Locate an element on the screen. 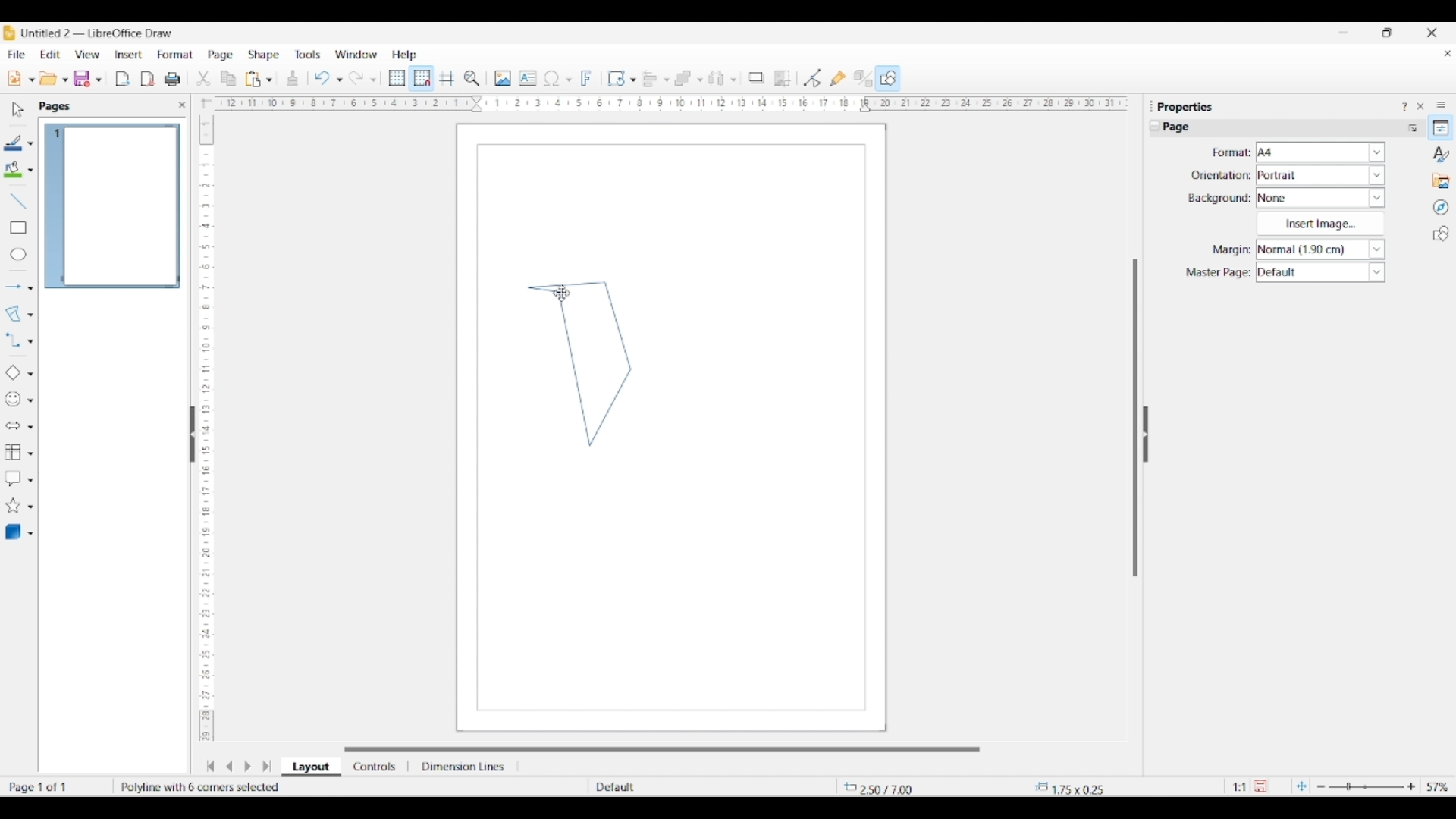 This screenshot has height=819, width=1456. Minimize is located at coordinates (1344, 33).